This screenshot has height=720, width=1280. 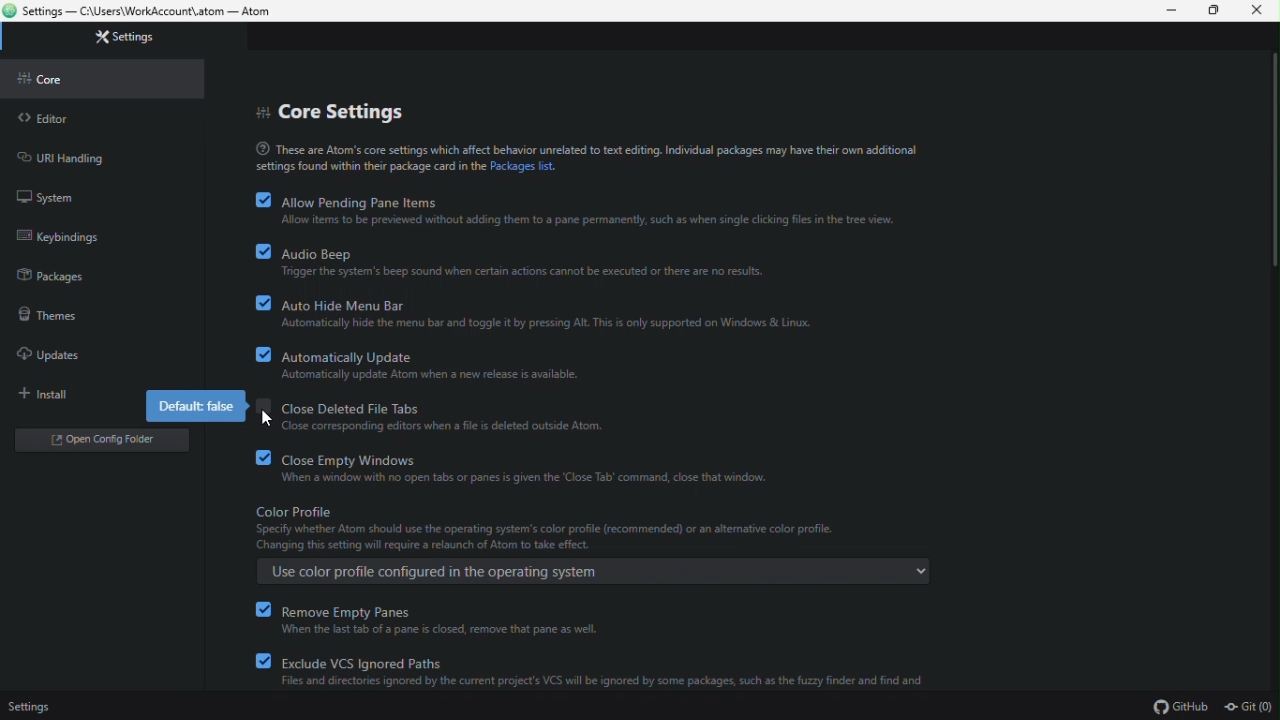 I want to click on settings, so click(x=32, y=708).